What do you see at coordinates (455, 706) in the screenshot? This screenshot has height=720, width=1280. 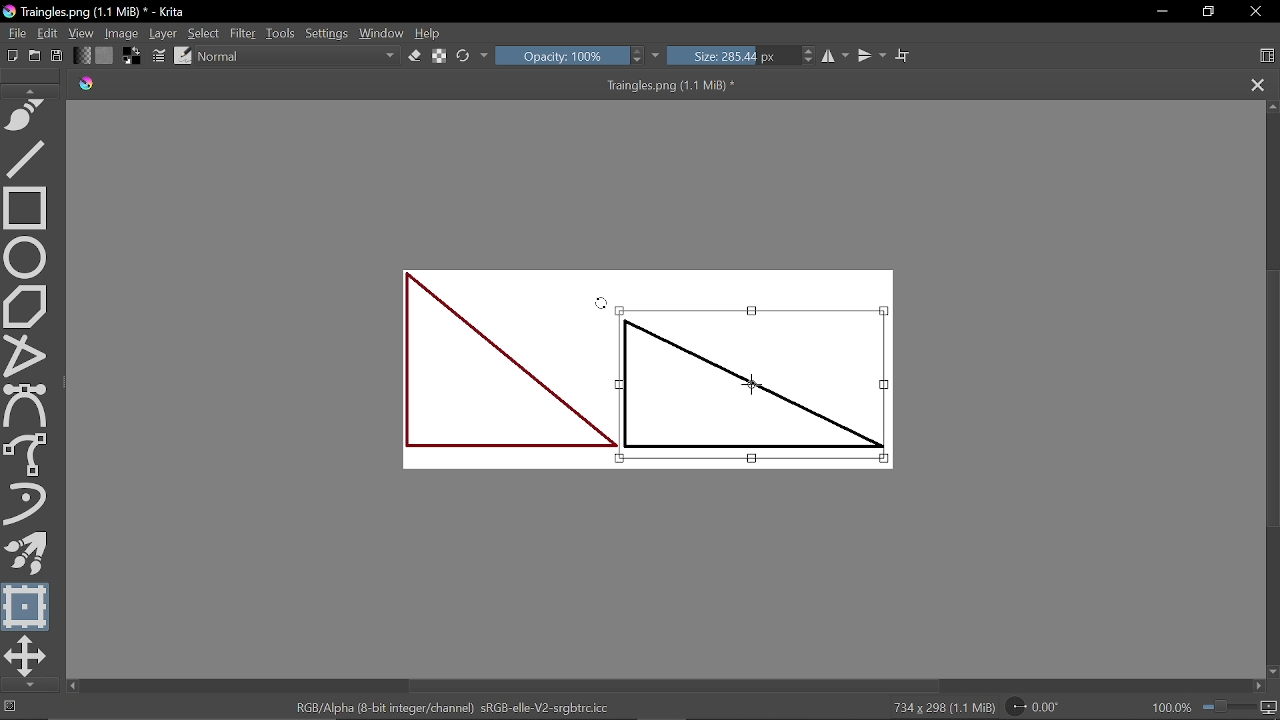 I see `RGB/Alpha (8-bit integer/channel) sRGB-elle-V2-srgbtrc.icc` at bounding box center [455, 706].